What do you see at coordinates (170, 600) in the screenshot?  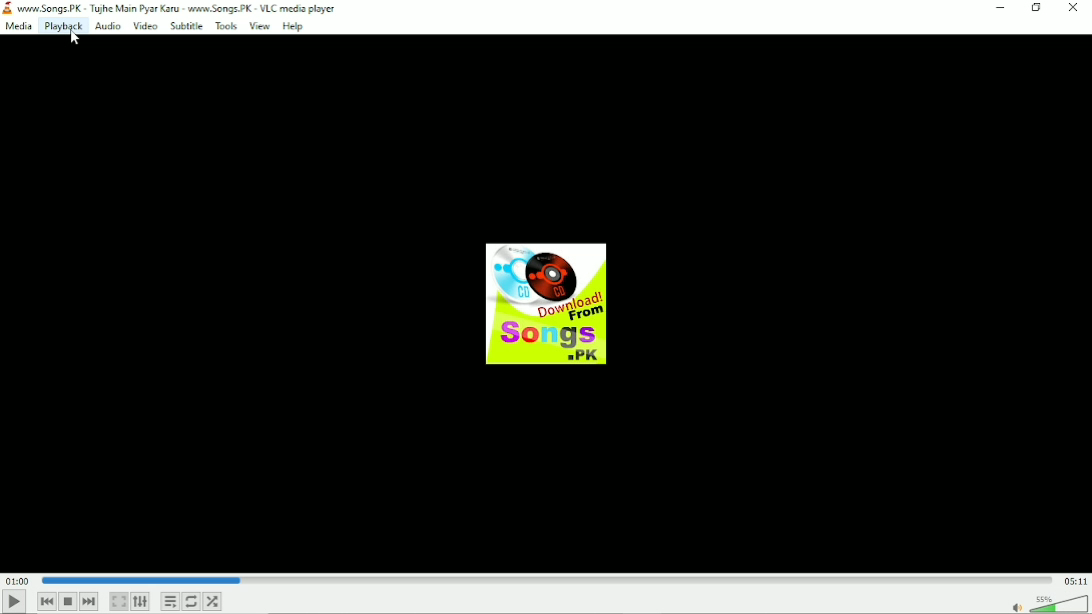 I see `Toggle playlist` at bounding box center [170, 600].